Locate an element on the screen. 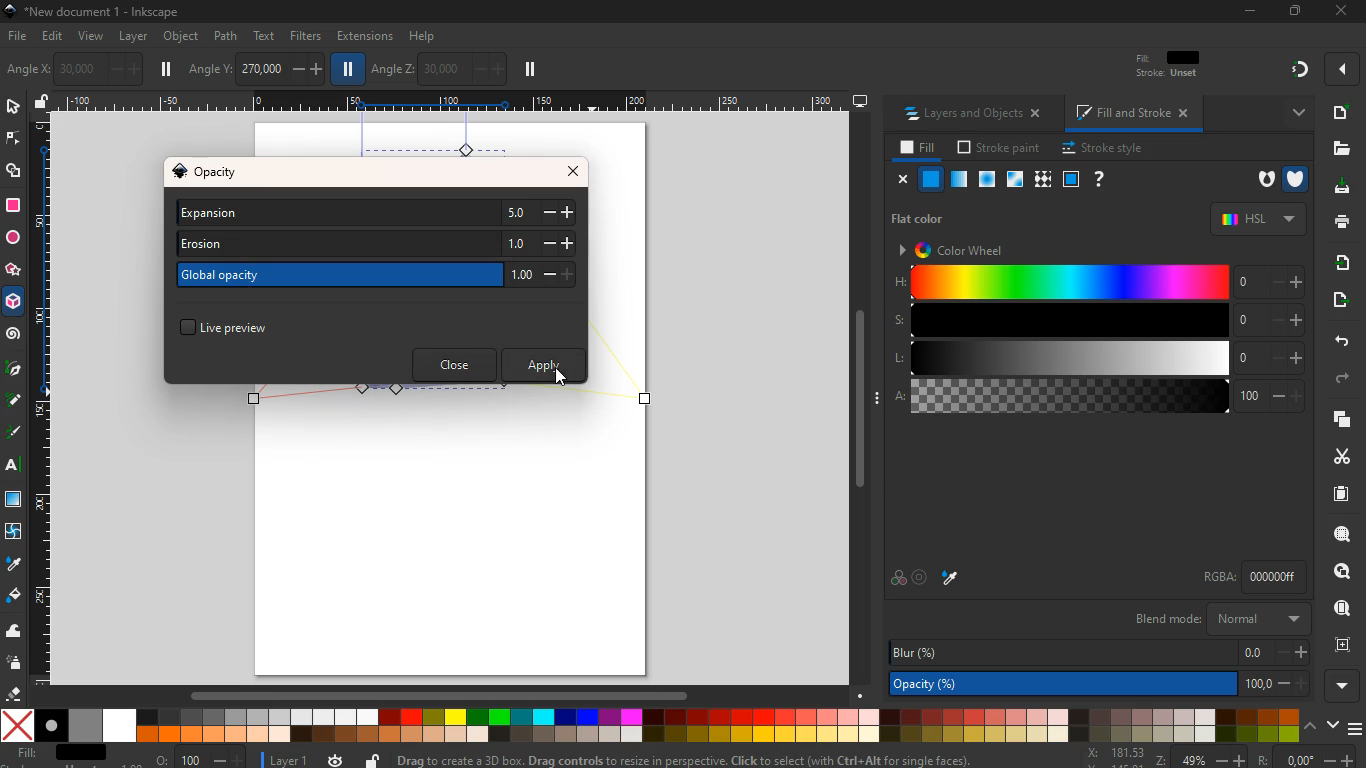 This screenshot has width=1366, height=768. hole is located at coordinates (1259, 180).